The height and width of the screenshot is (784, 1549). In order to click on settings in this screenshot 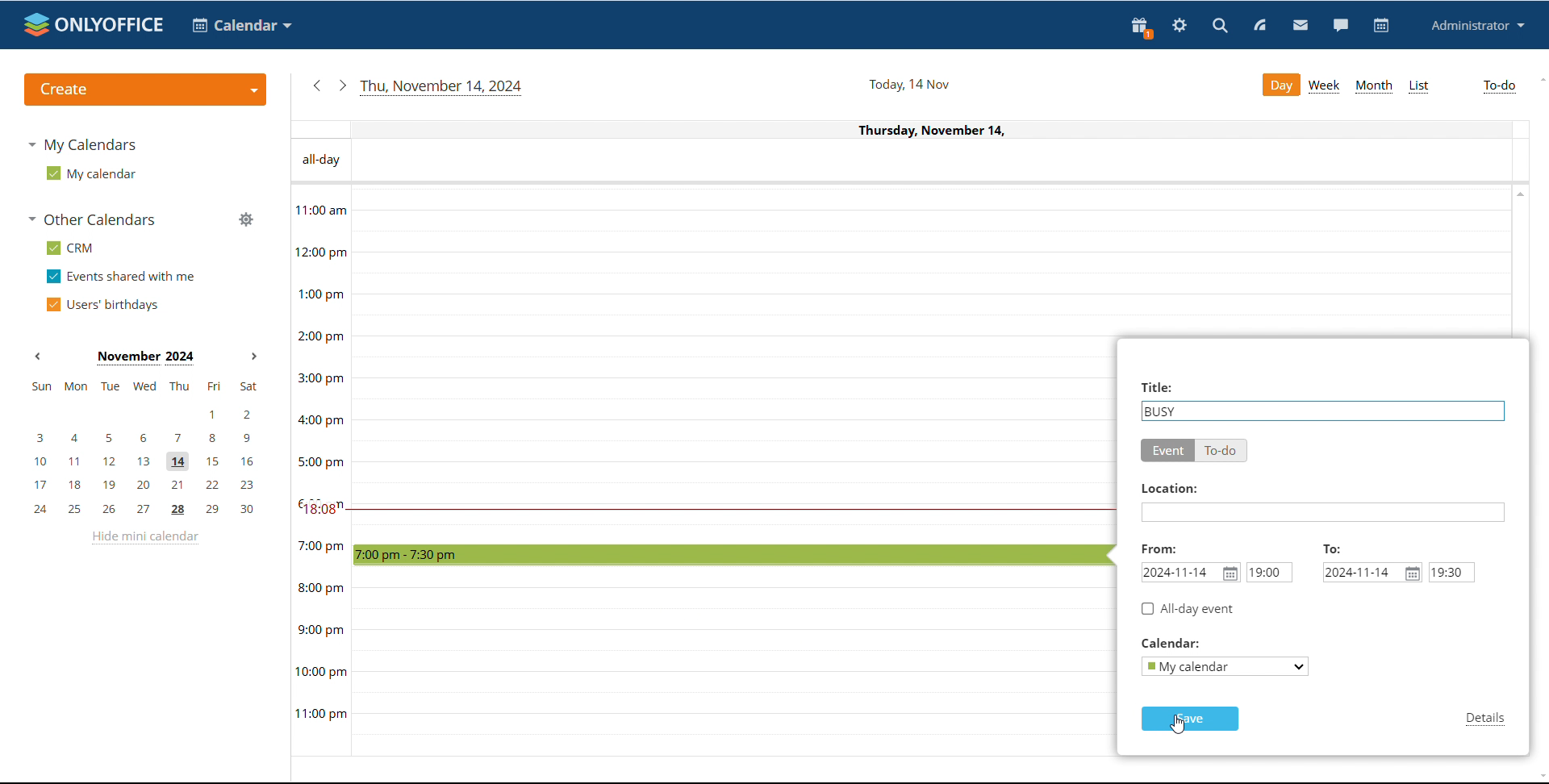, I will do `click(1179, 27)`.